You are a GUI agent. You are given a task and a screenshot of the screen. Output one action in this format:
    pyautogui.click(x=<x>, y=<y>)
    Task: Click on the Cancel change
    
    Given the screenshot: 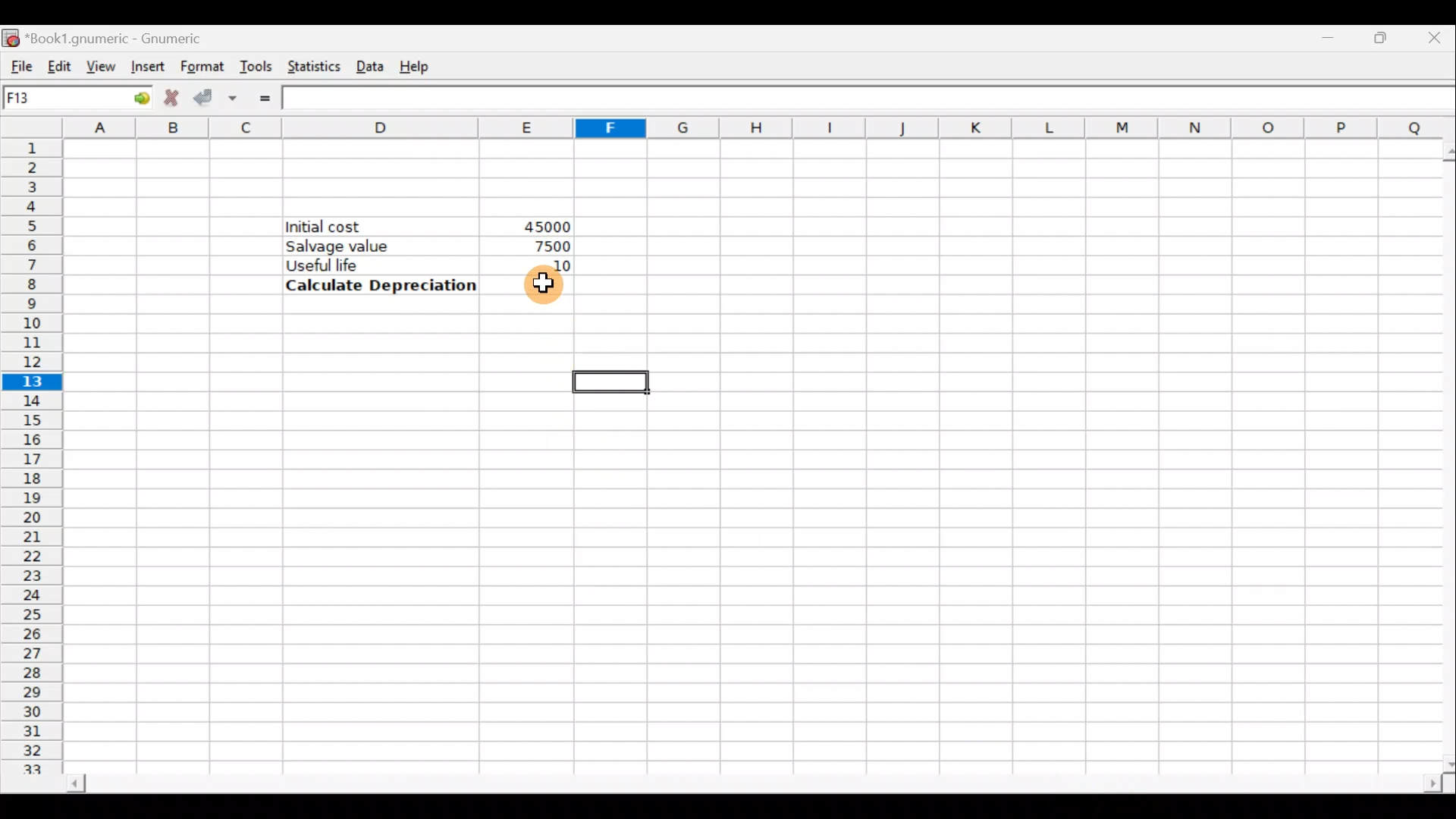 What is the action you would take?
    pyautogui.click(x=172, y=98)
    